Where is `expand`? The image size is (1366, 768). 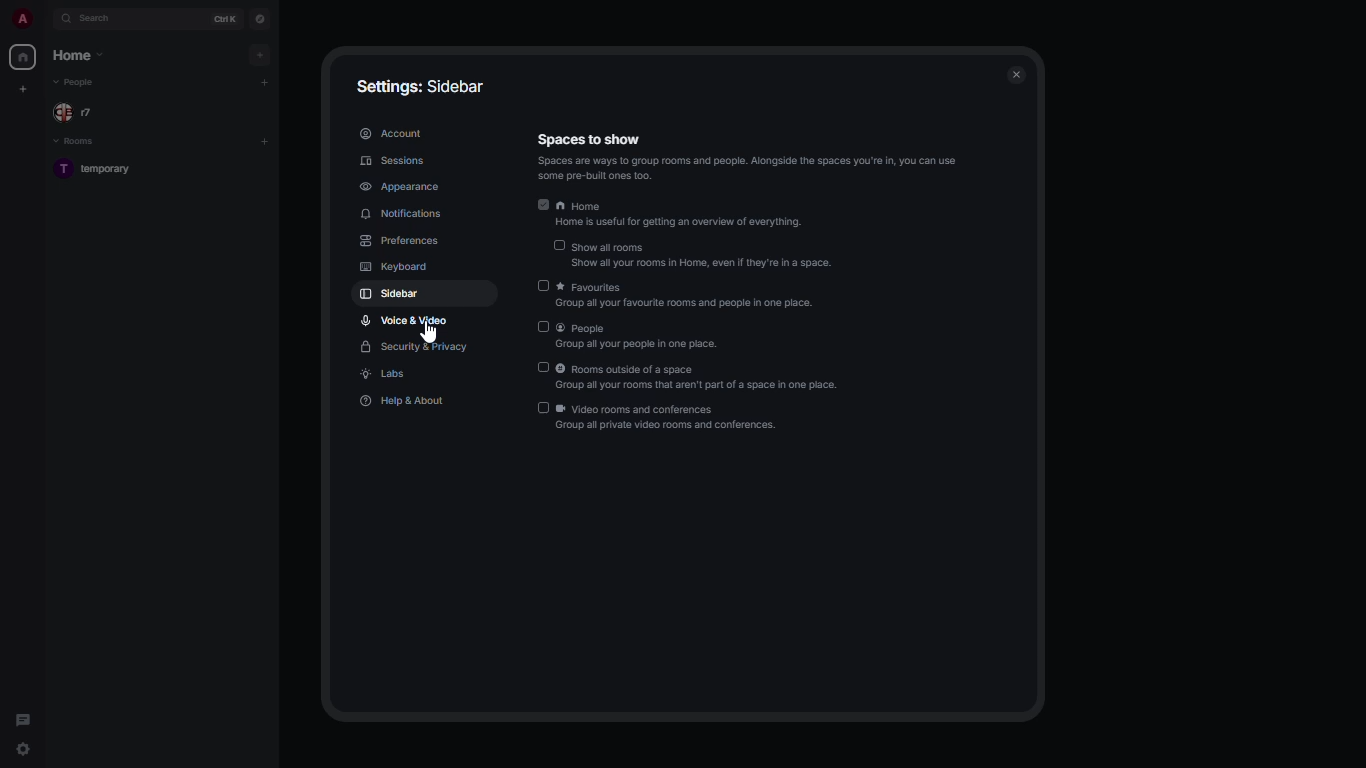
expand is located at coordinates (48, 19).